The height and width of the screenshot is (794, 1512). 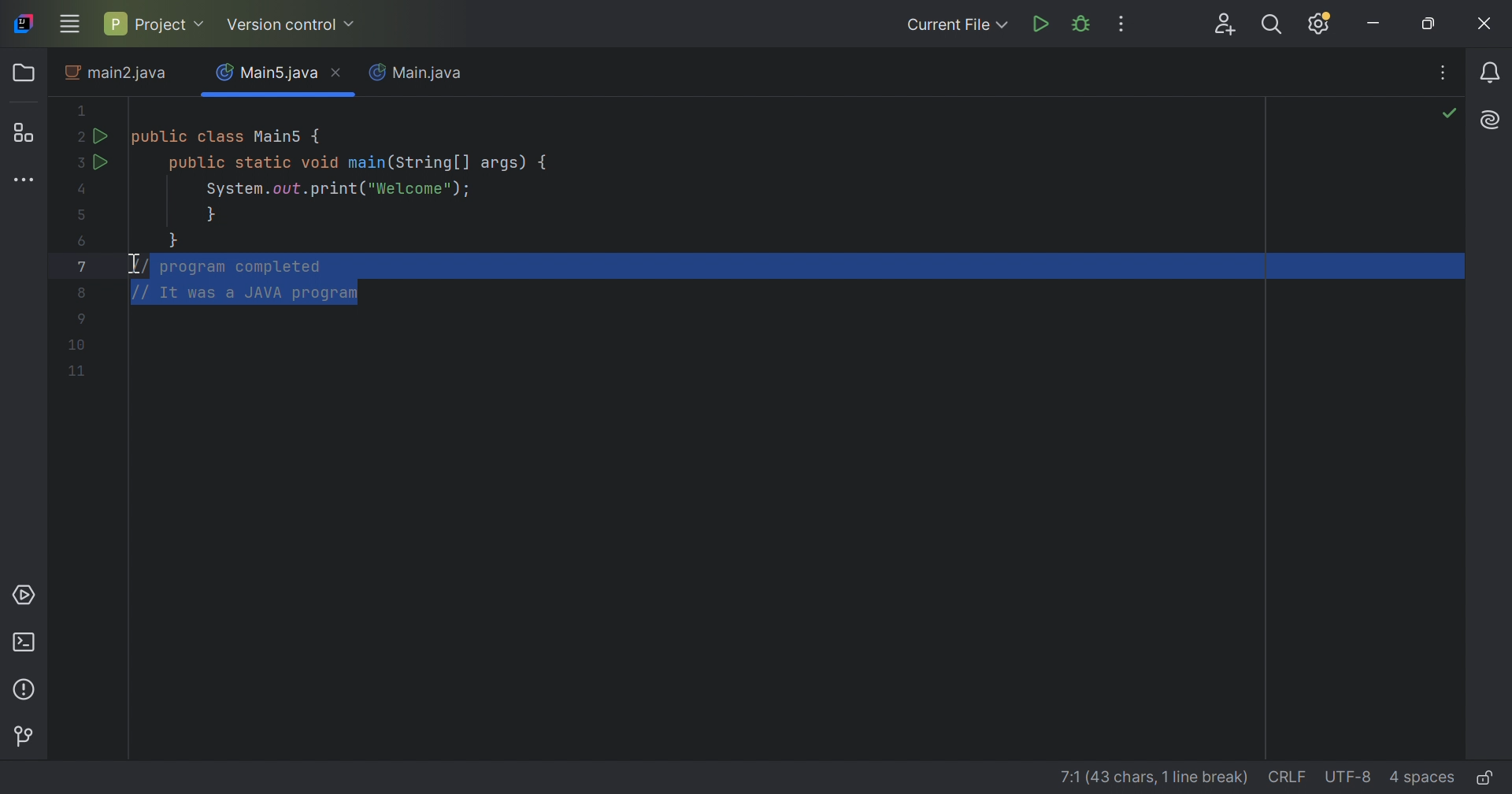 I want to click on Main menu, so click(x=70, y=24).